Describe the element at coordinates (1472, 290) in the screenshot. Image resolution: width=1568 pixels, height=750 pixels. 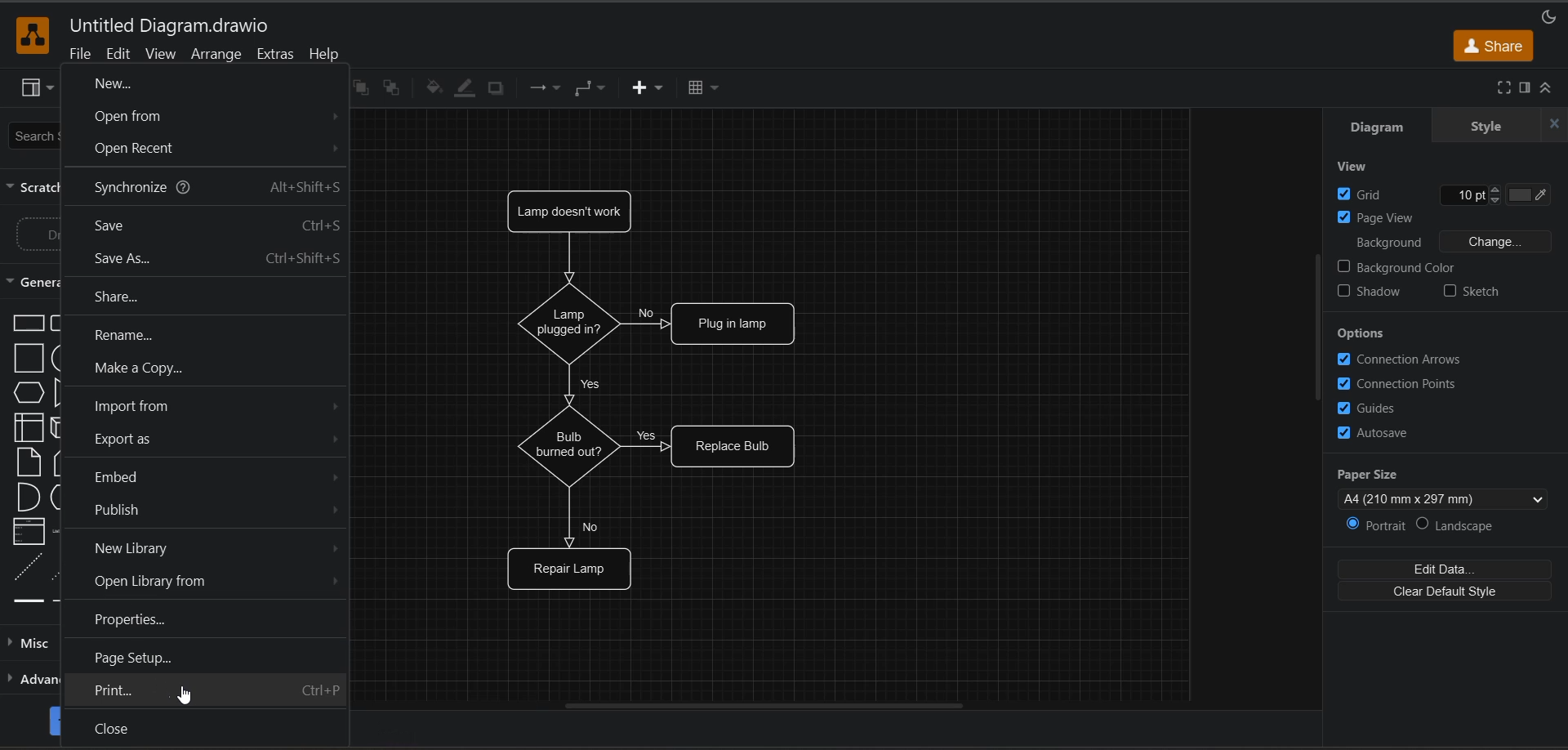
I see `sketch` at that location.